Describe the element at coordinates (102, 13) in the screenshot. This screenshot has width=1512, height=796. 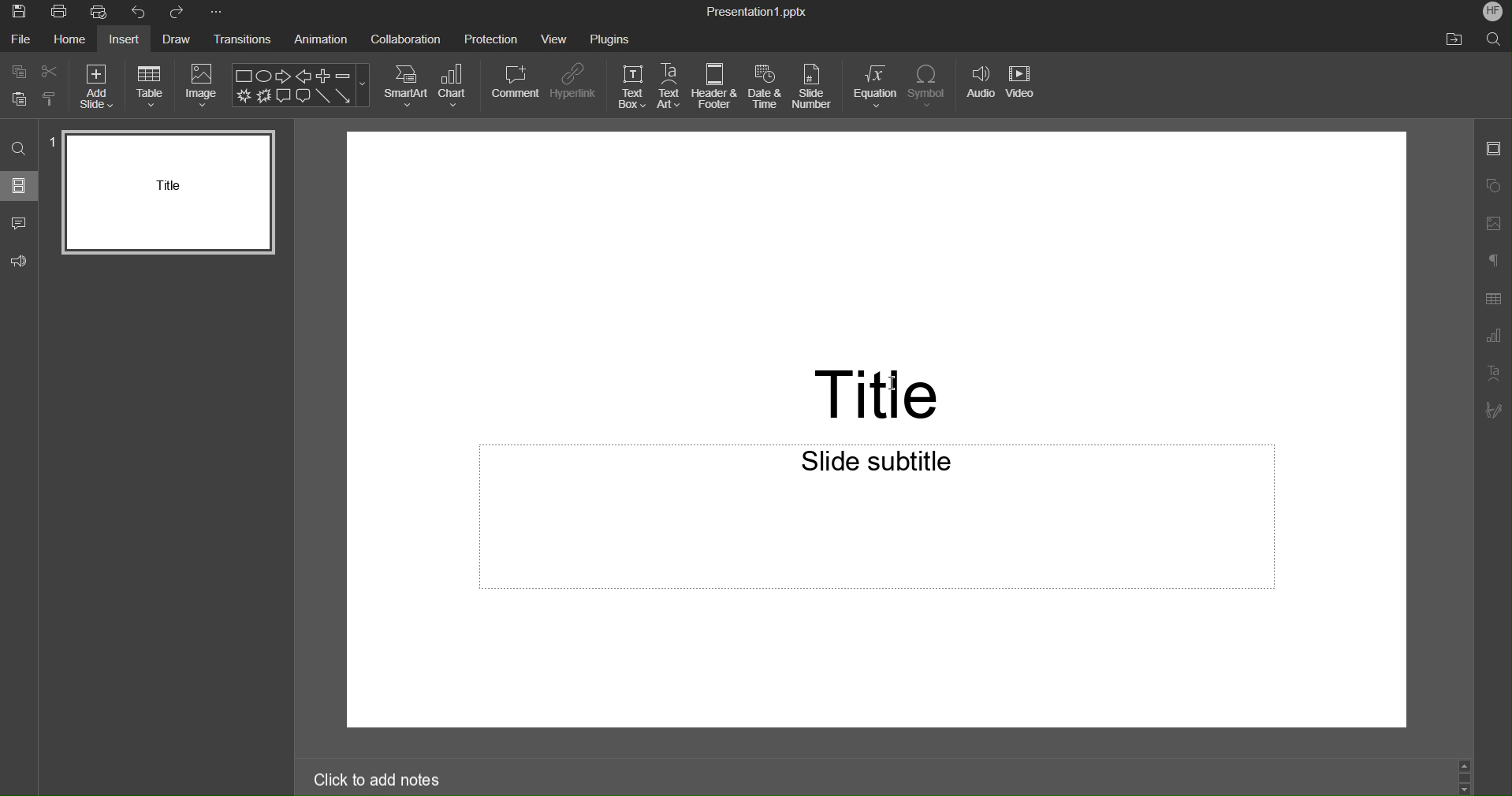
I see `Quick Print` at that location.